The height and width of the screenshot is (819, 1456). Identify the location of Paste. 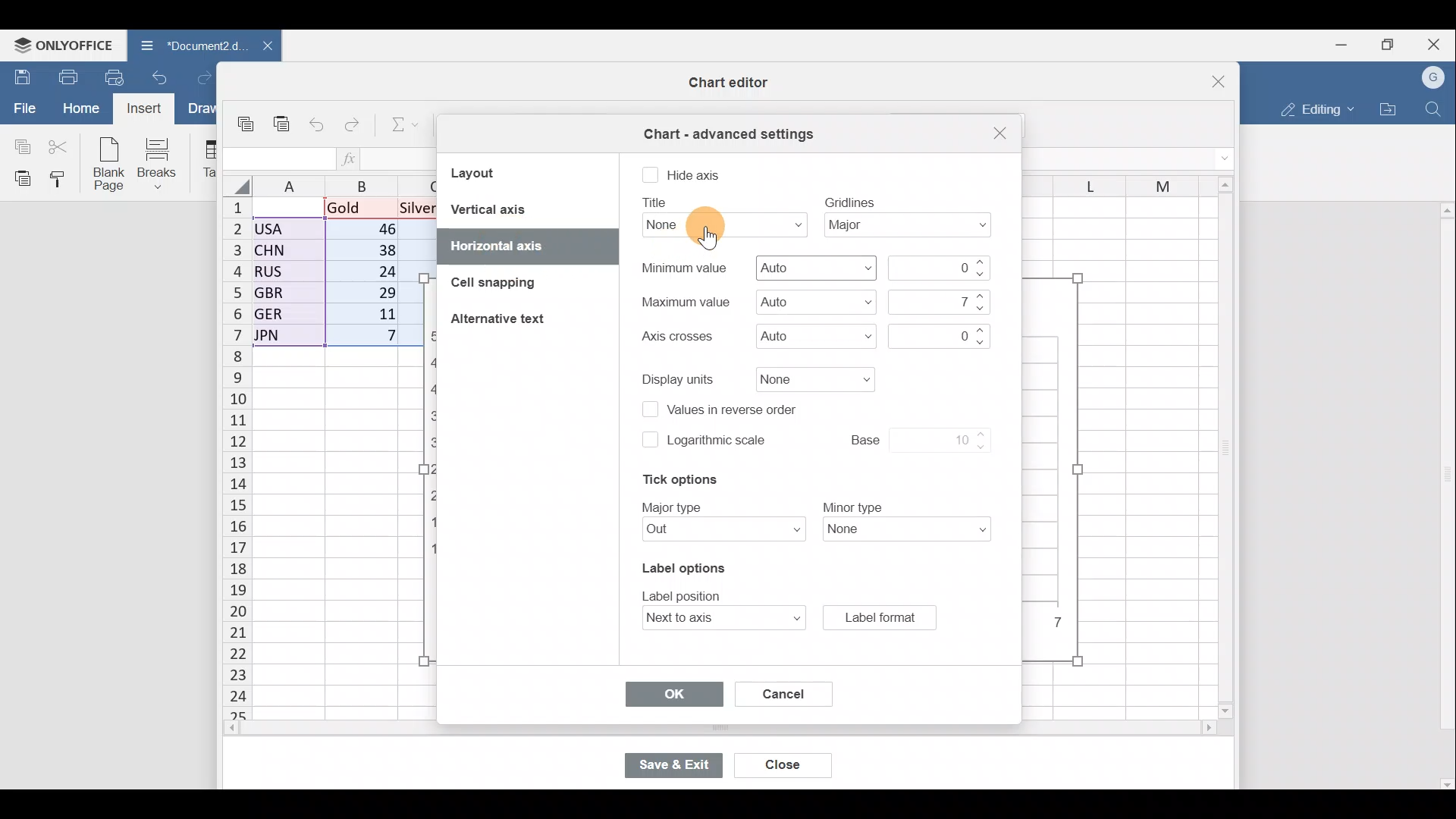
(19, 178).